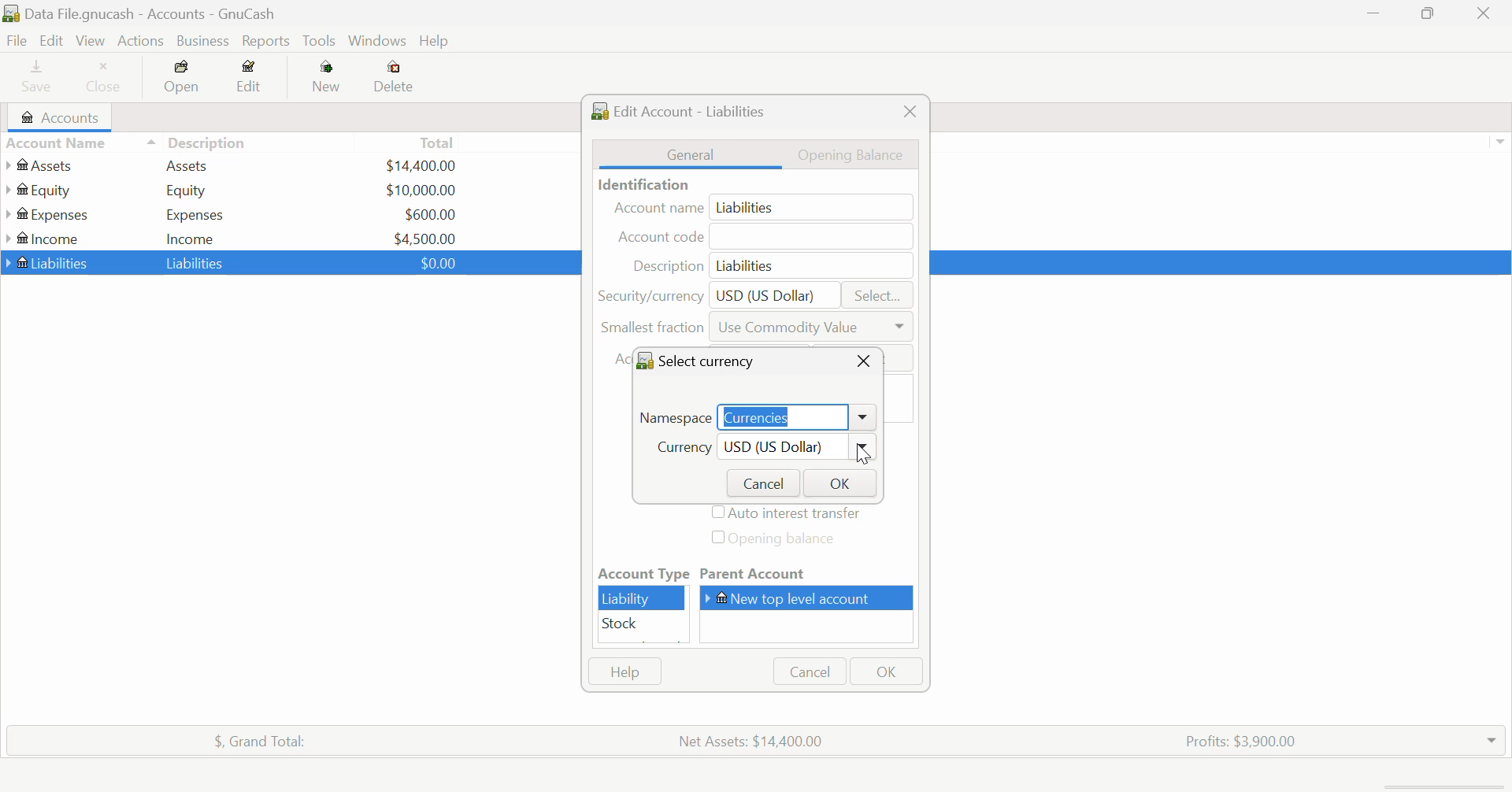  Describe the element at coordinates (691, 154) in the screenshot. I see `General` at that location.